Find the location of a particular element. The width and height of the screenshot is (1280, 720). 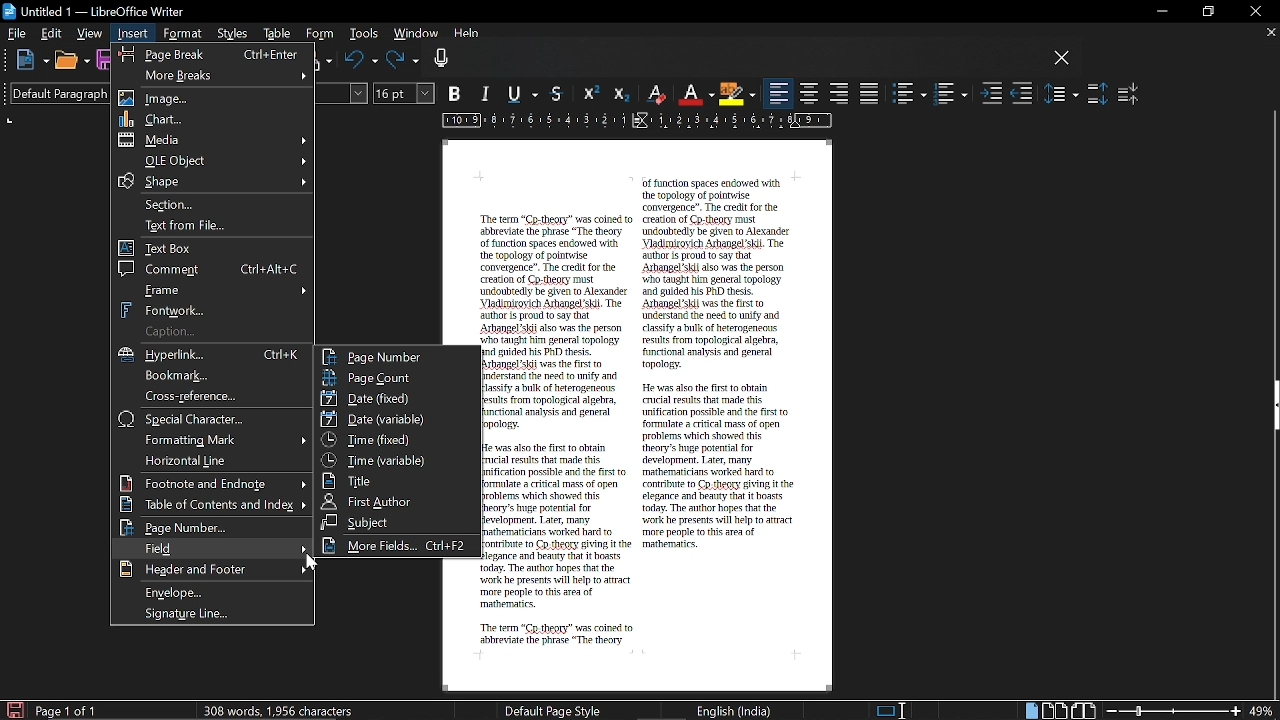

cross reference is located at coordinates (211, 396).